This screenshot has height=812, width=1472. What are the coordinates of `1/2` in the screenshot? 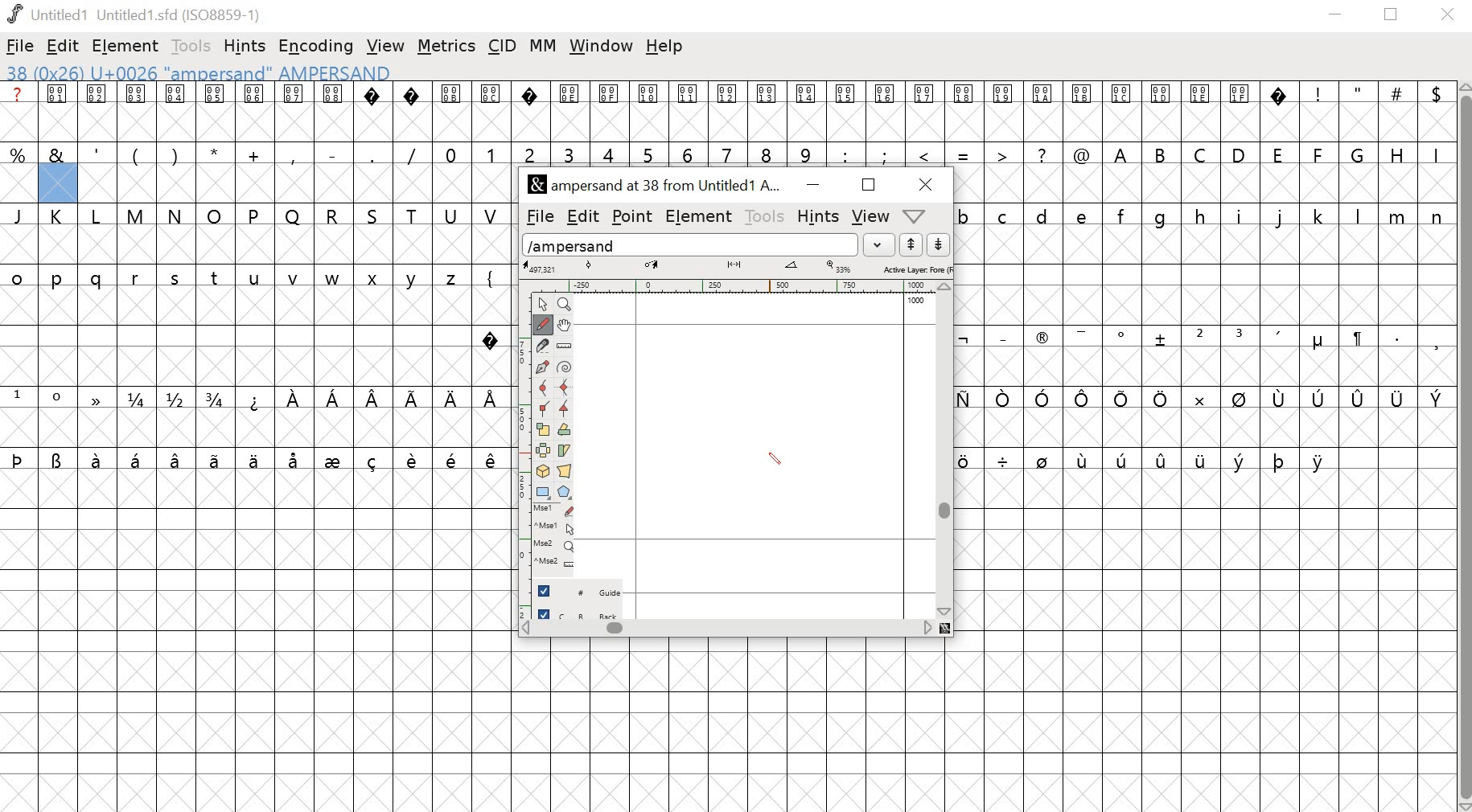 It's located at (178, 399).